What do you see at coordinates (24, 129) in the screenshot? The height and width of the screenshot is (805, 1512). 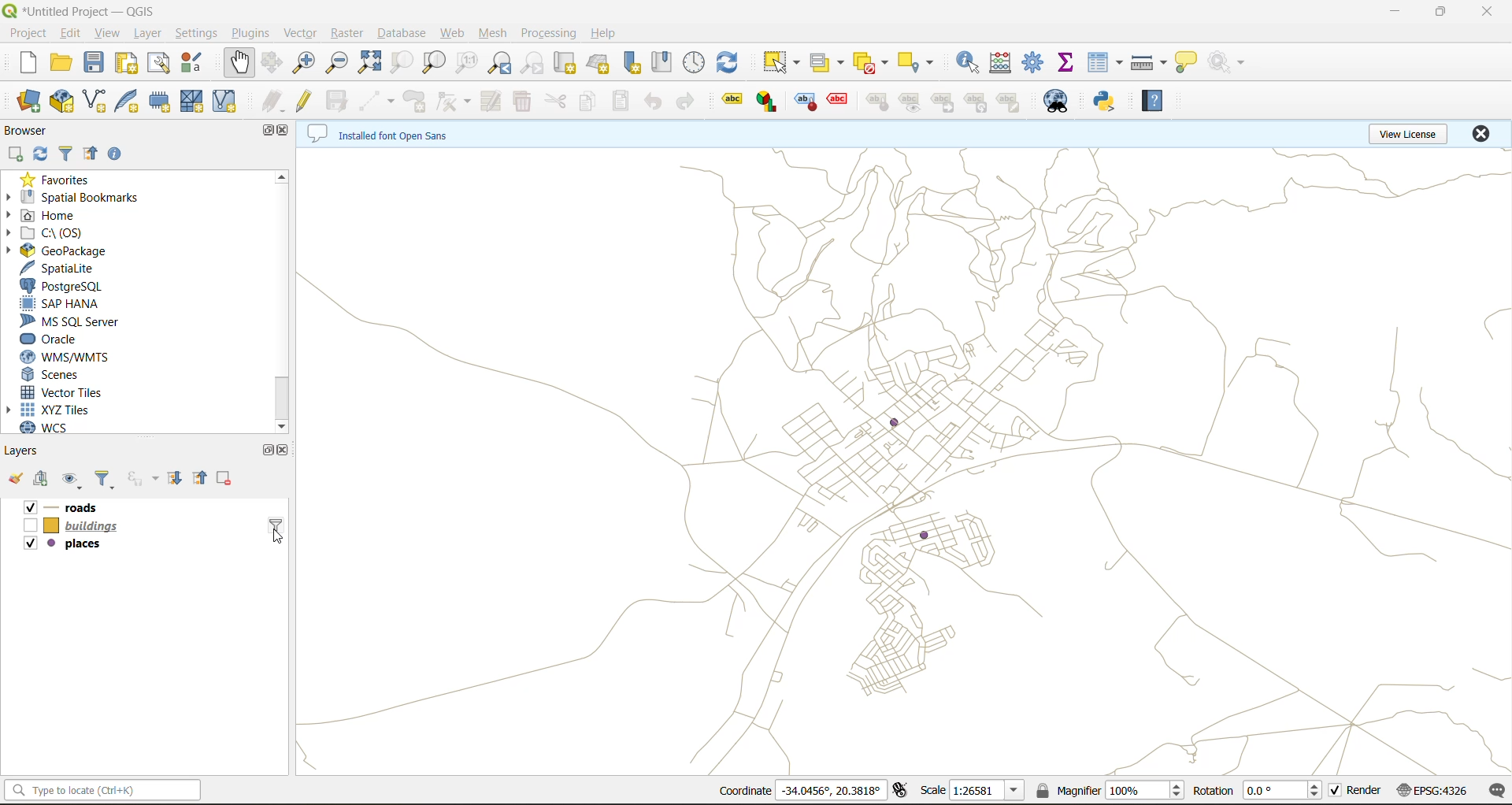 I see `browser` at bounding box center [24, 129].